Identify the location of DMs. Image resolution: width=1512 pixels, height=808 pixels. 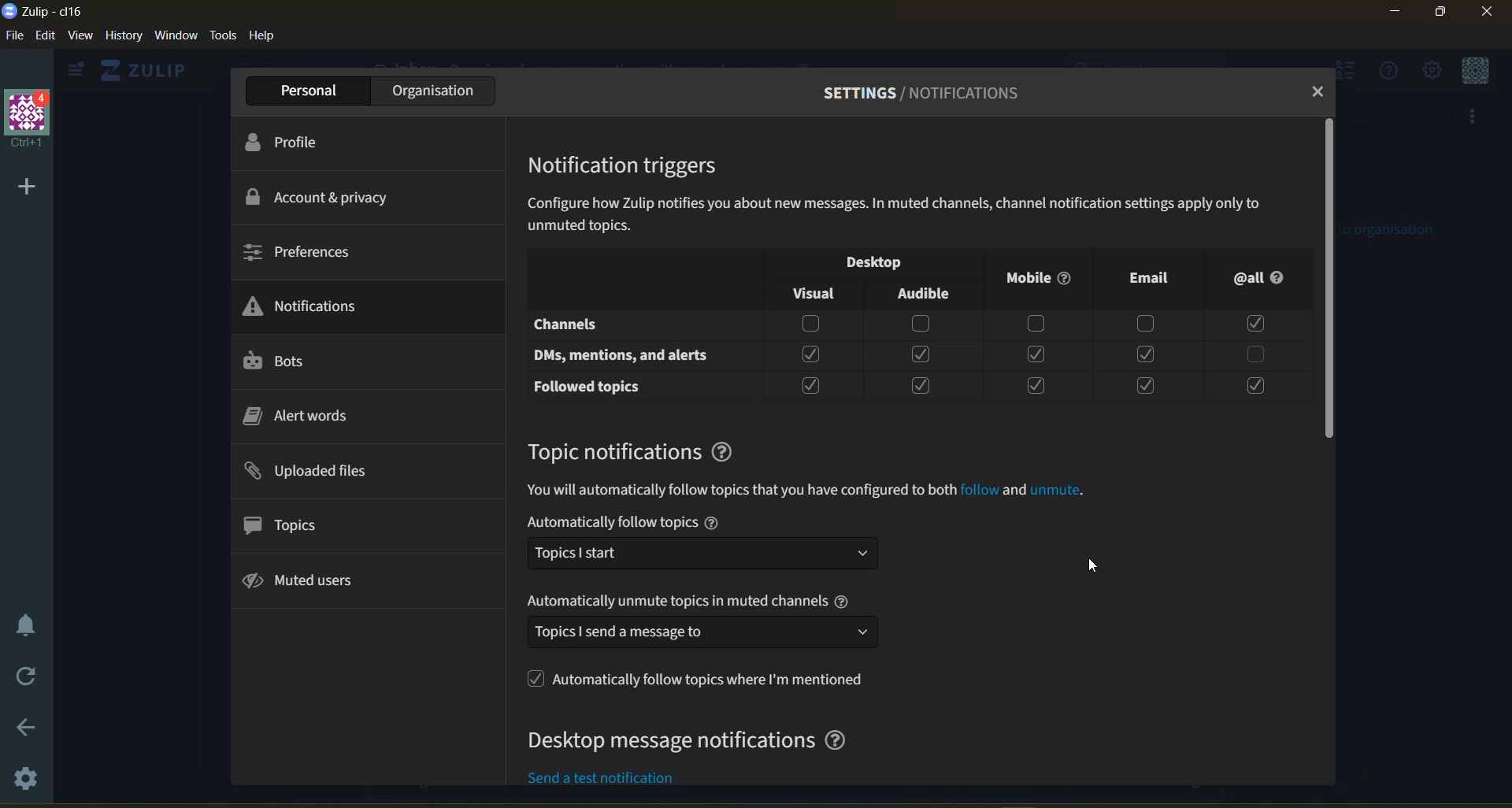
(624, 358).